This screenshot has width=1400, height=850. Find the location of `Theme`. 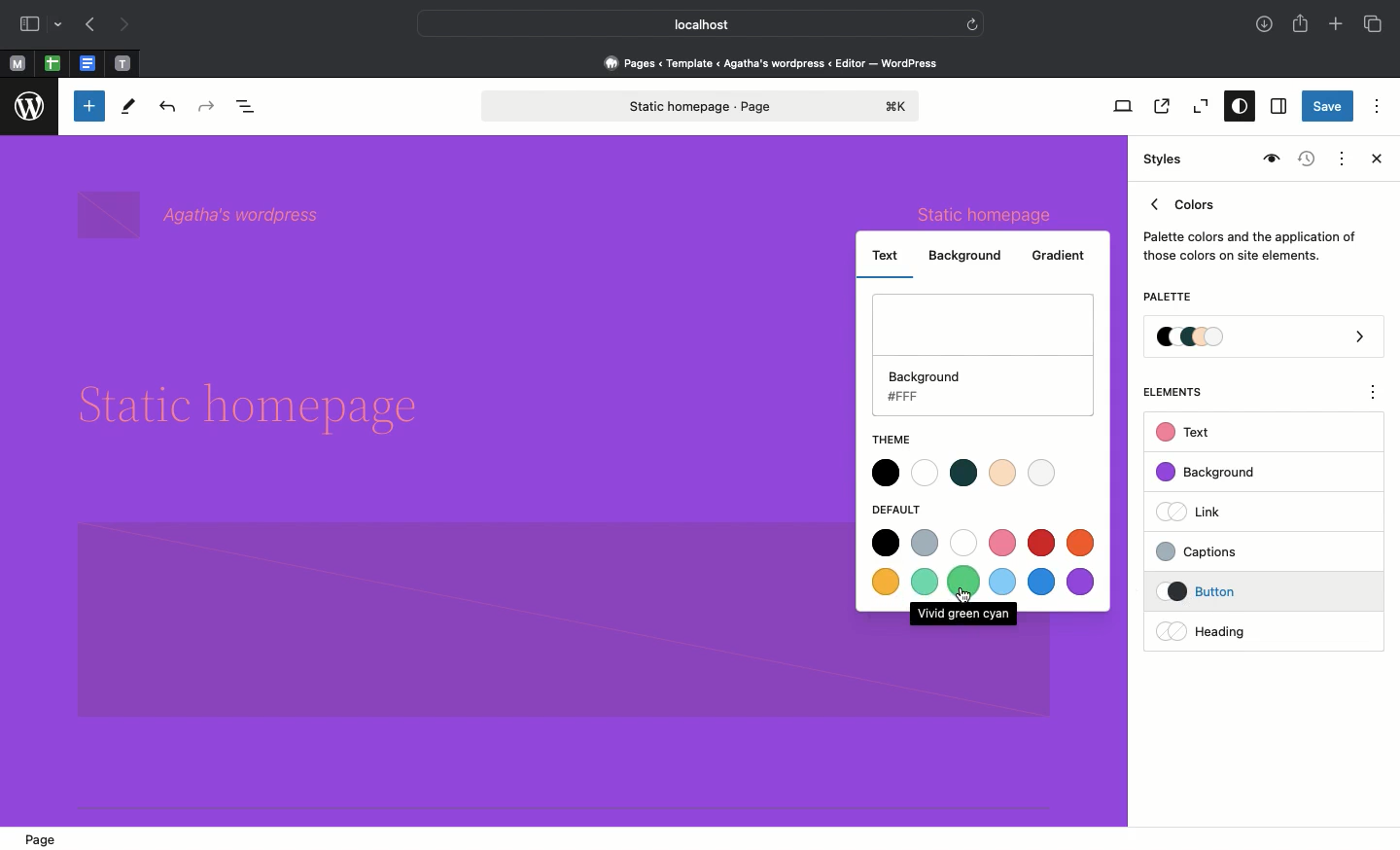

Theme is located at coordinates (892, 437).